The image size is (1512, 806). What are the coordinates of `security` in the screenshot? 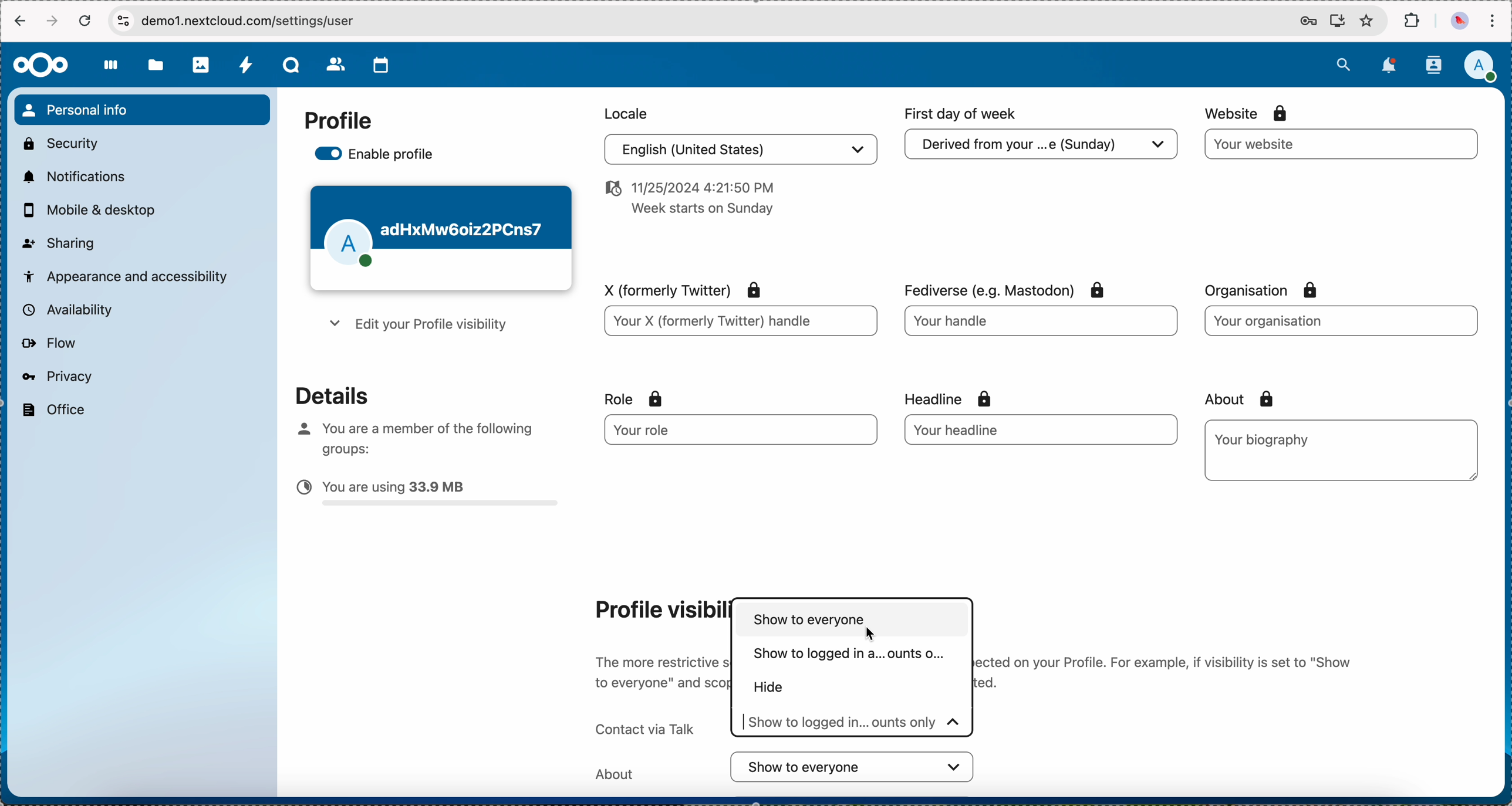 It's located at (59, 142).